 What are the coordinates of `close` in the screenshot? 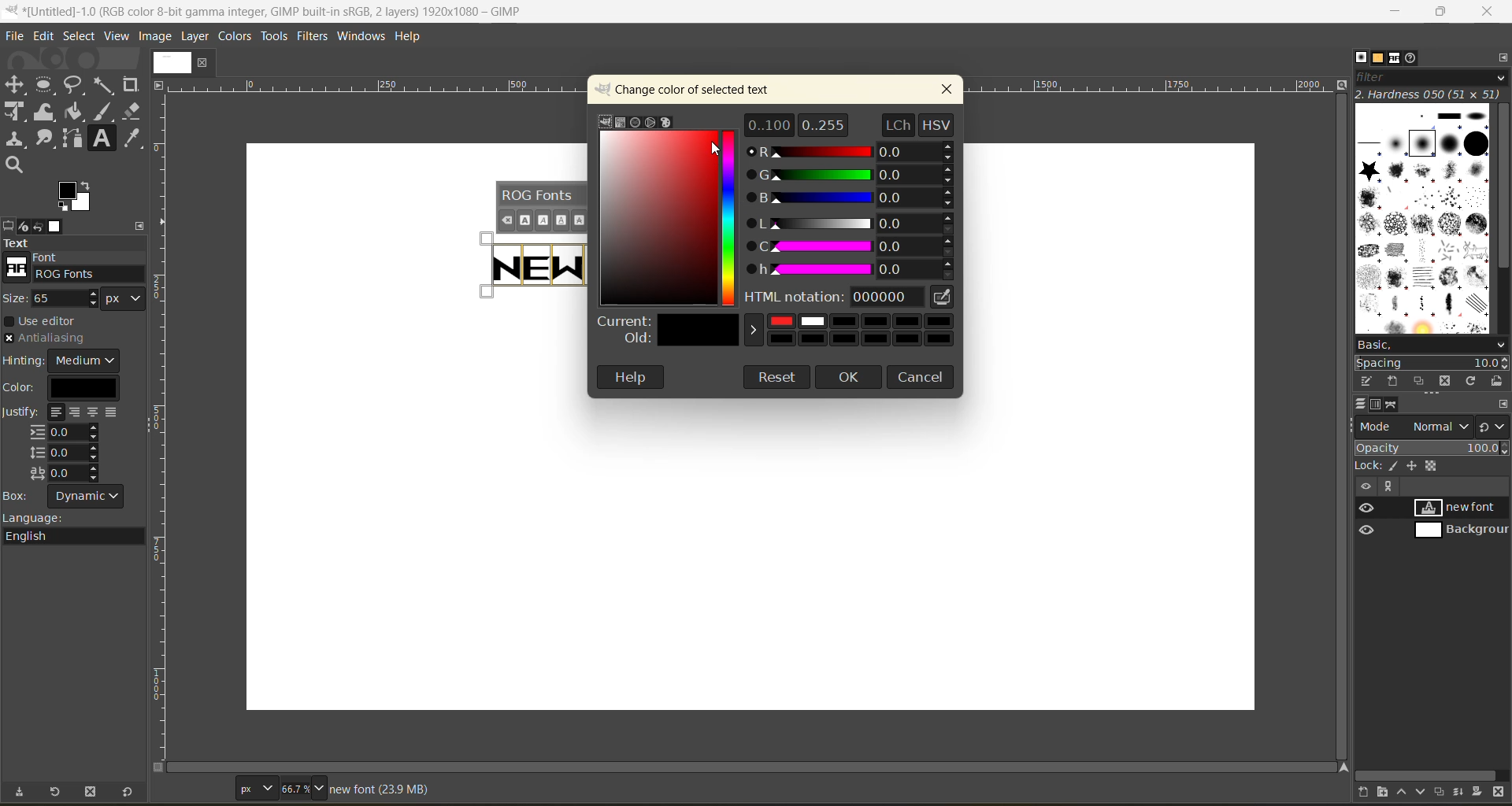 It's located at (1489, 12).